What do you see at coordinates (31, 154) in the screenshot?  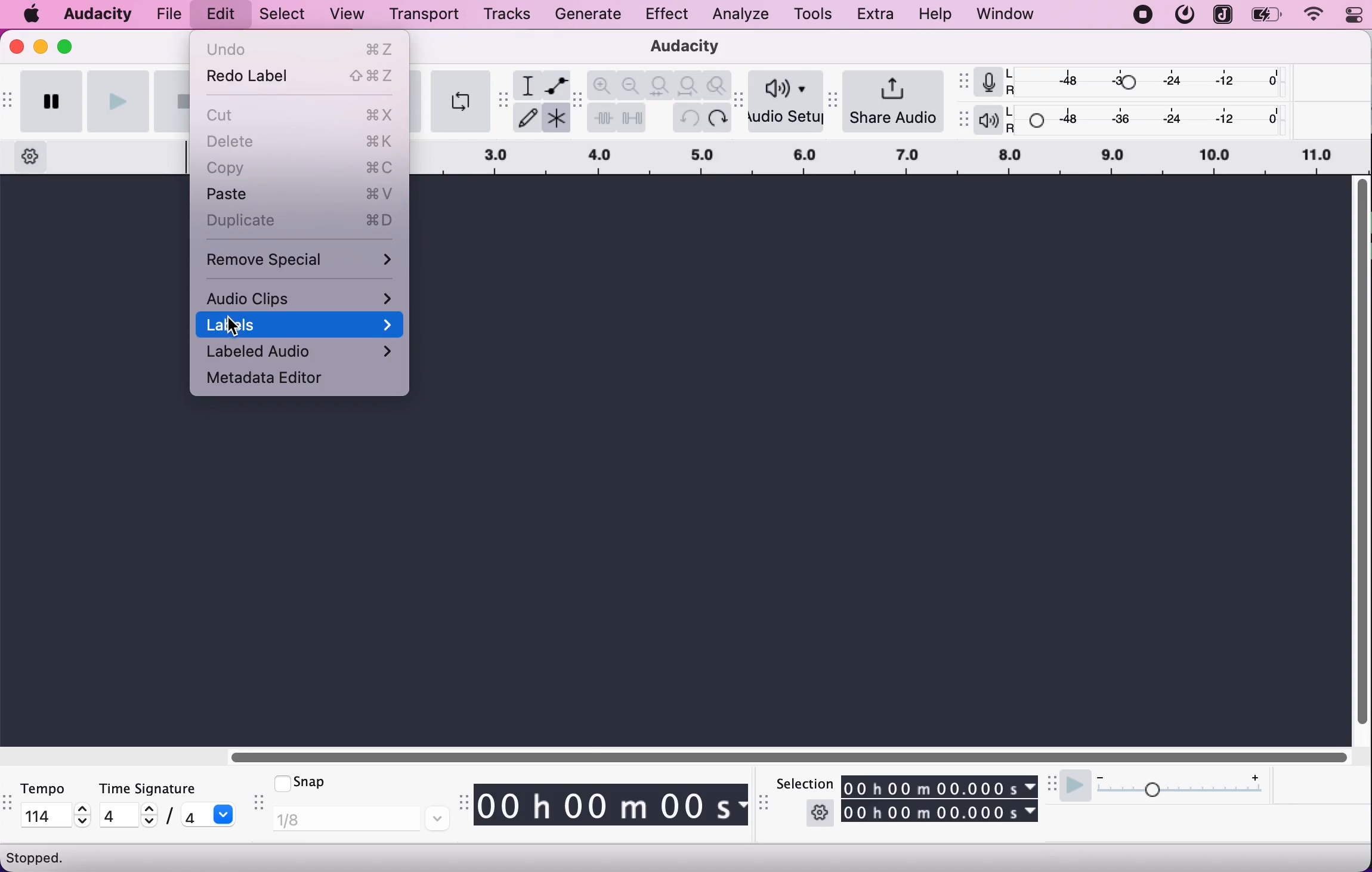 I see `timeline options` at bounding box center [31, 154].